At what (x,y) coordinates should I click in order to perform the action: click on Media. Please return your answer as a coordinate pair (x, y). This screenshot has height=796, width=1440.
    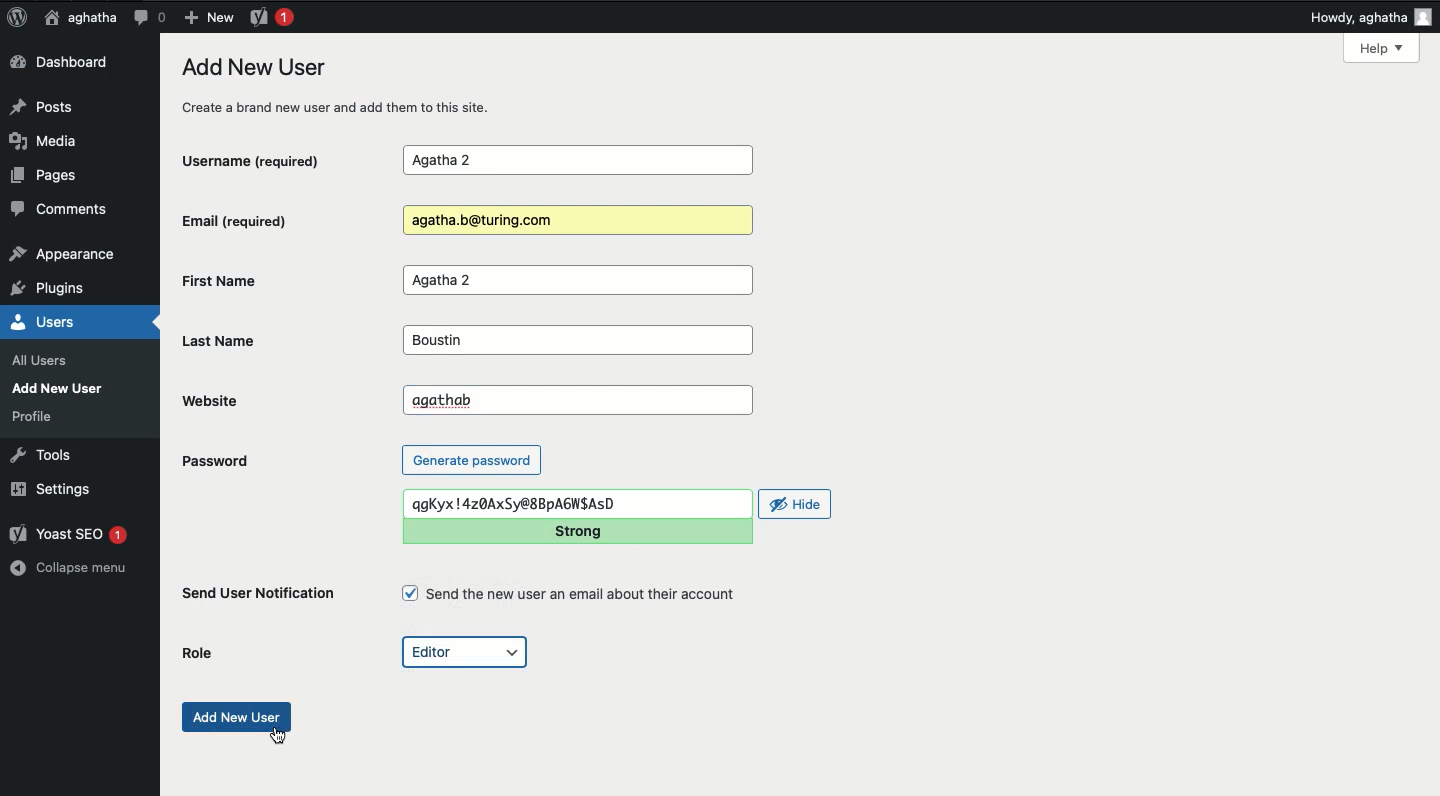
    Looking at the image, I should click on (50, 141).